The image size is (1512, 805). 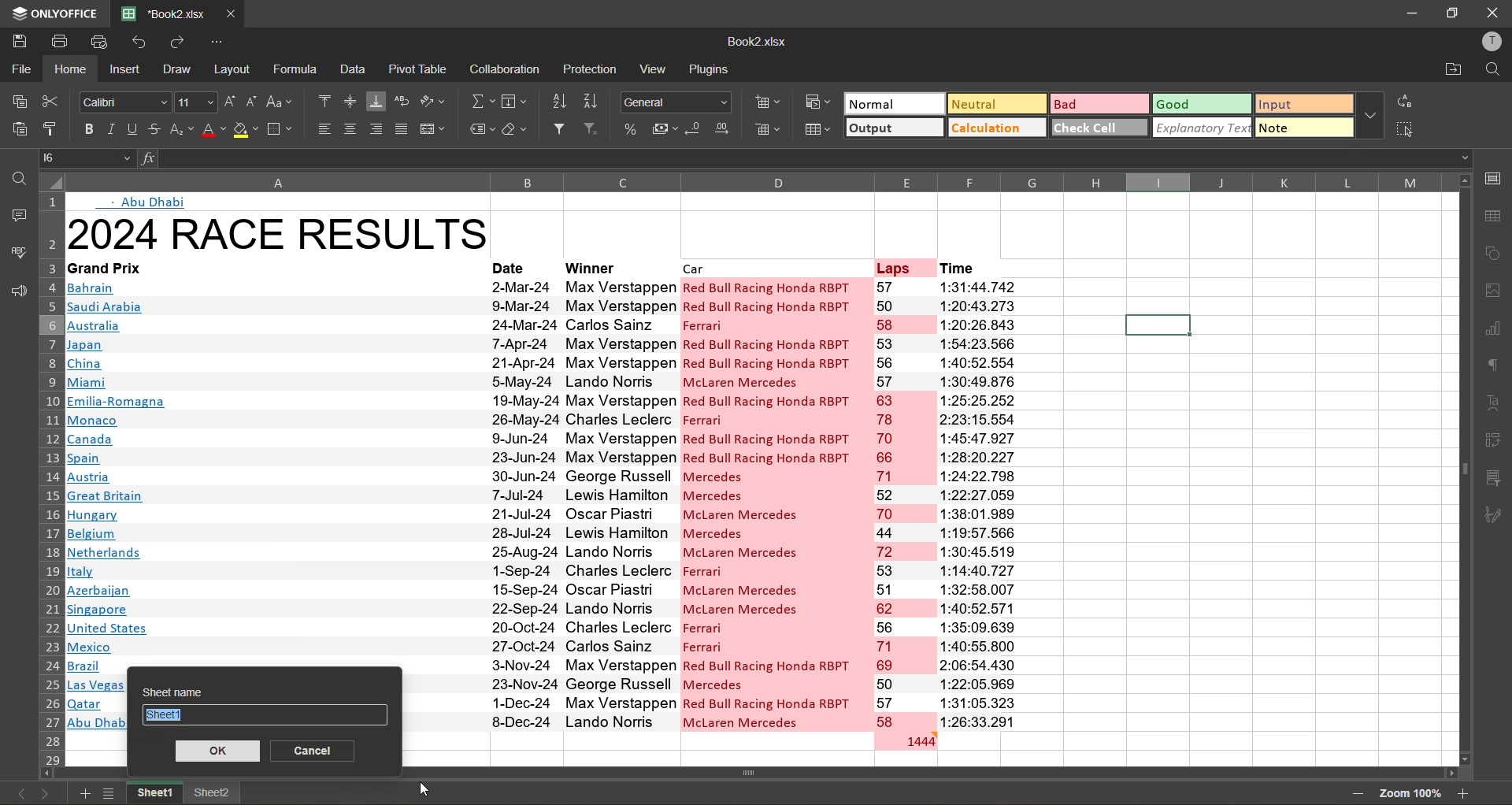 What do you see at coordinates (152, 793) in the screenshot?
I see `sheet names` at bounding box center [152, 793].